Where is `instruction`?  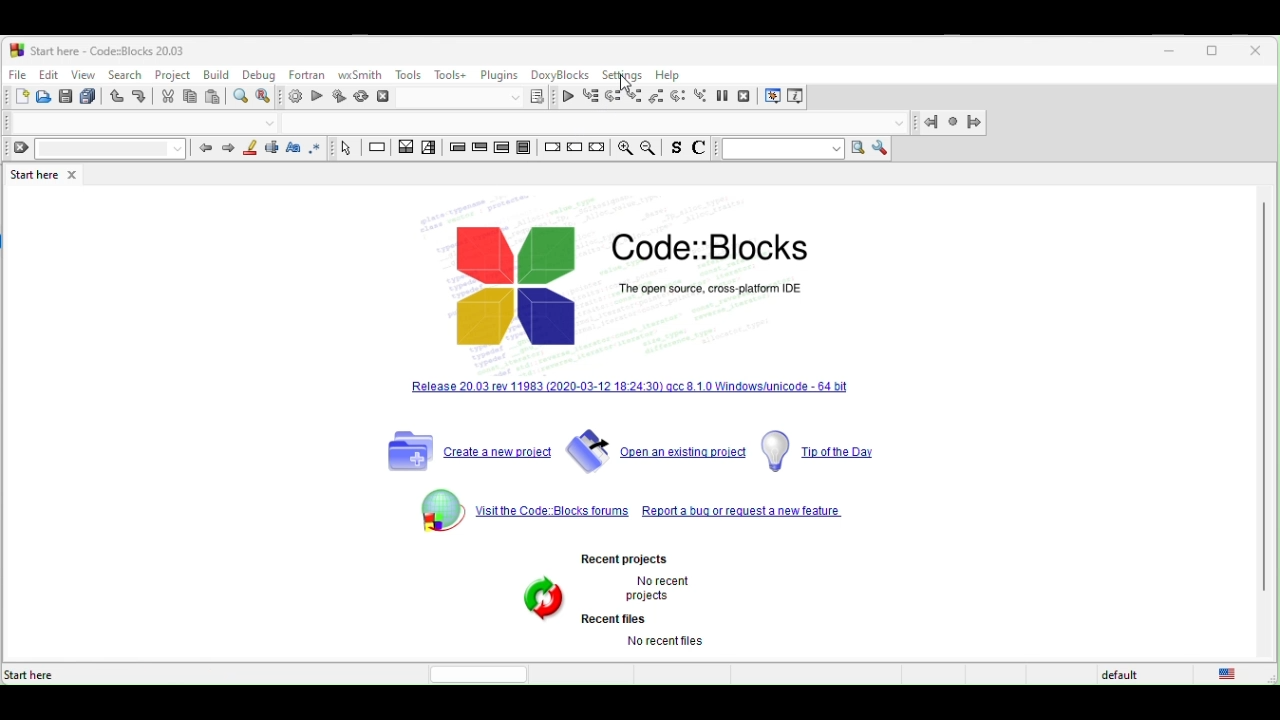 instruction is located at coordinates (378, 149).